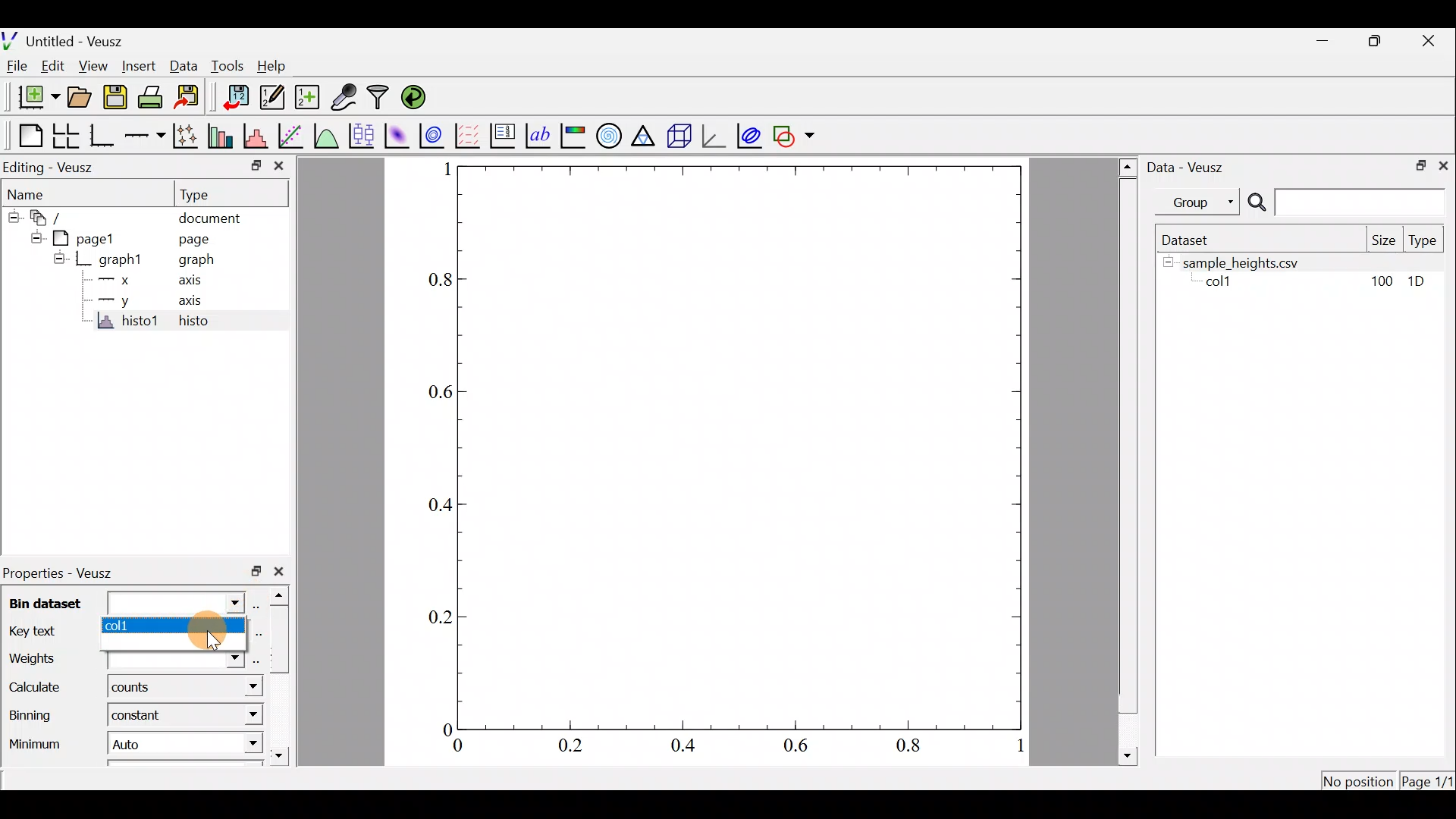  What do you see at coordinates (437, 284) in the screenshot?
I see `0.8` at bounding box center [437, 284].